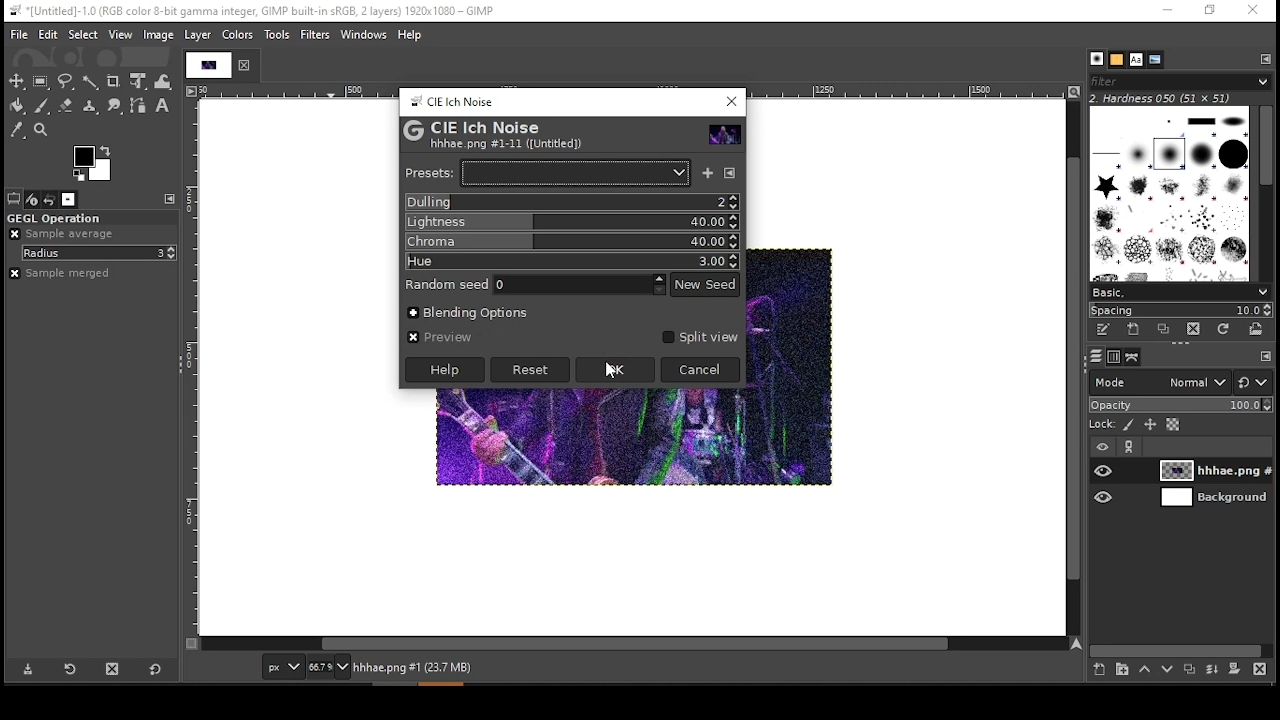 The image size is (1280, 720). Describe the element at coordinates (1160, 383) in the screenshot. I see `mode` at that location.